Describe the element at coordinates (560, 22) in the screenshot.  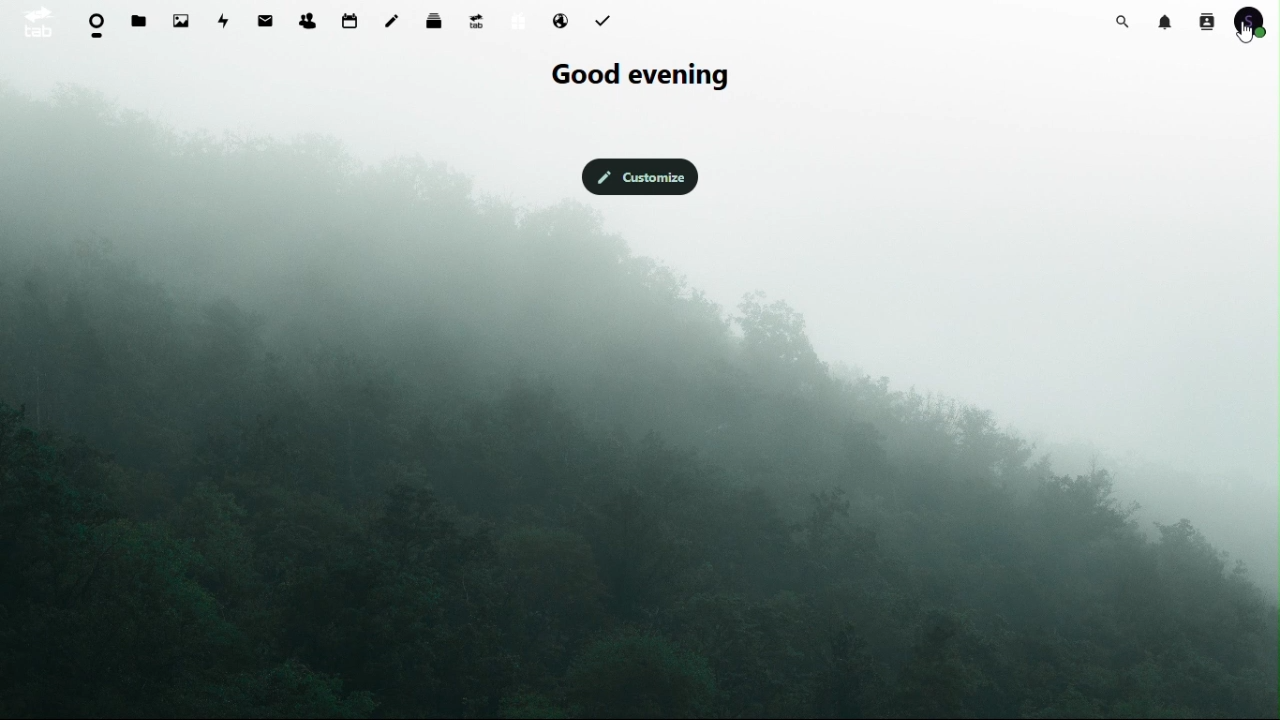
I see `email hosting` at that location.